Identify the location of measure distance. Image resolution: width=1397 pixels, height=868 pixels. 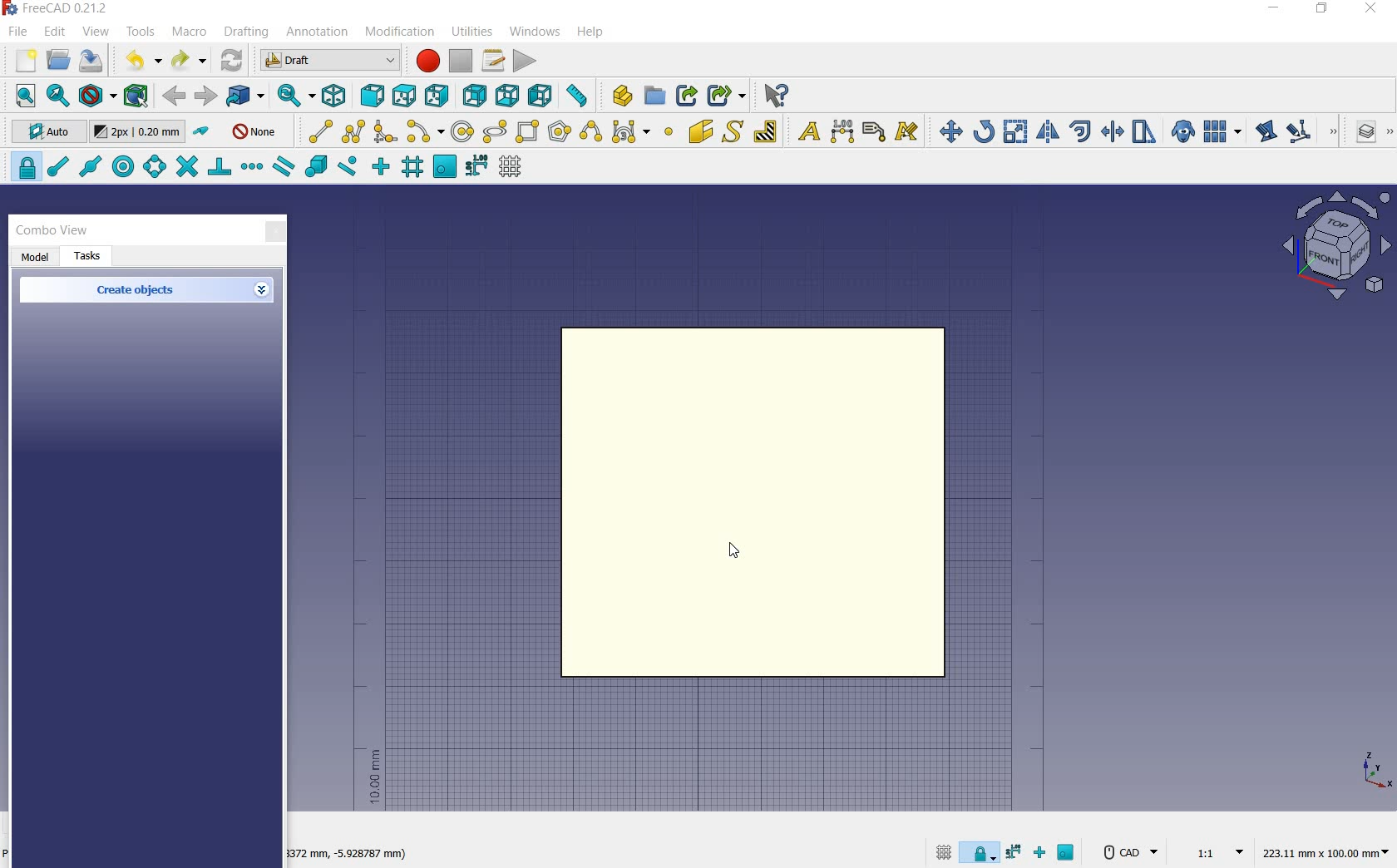
(579, 96).